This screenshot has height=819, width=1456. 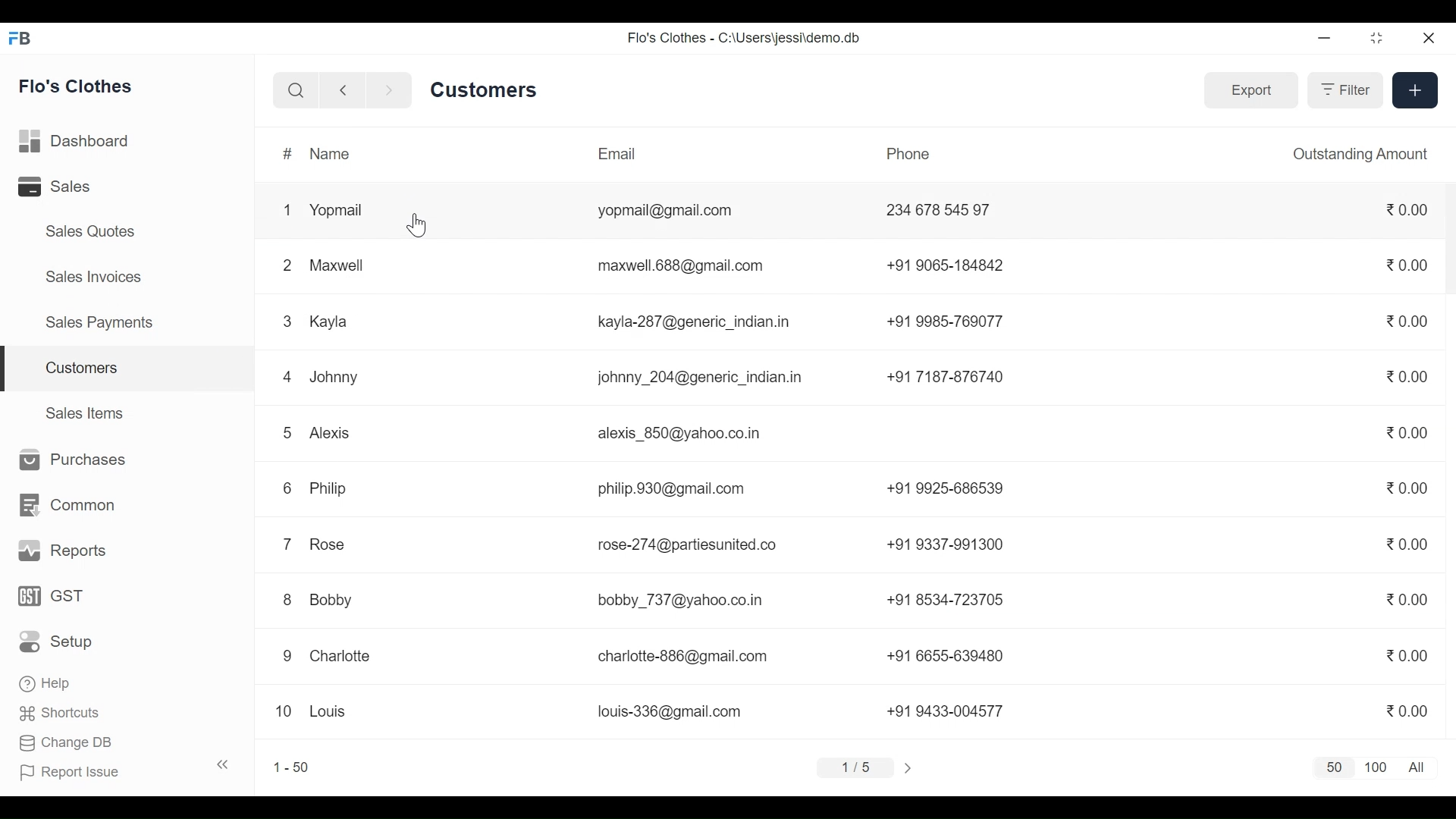 I want to click on +91 9985-769077, so click(x=945, y=322).